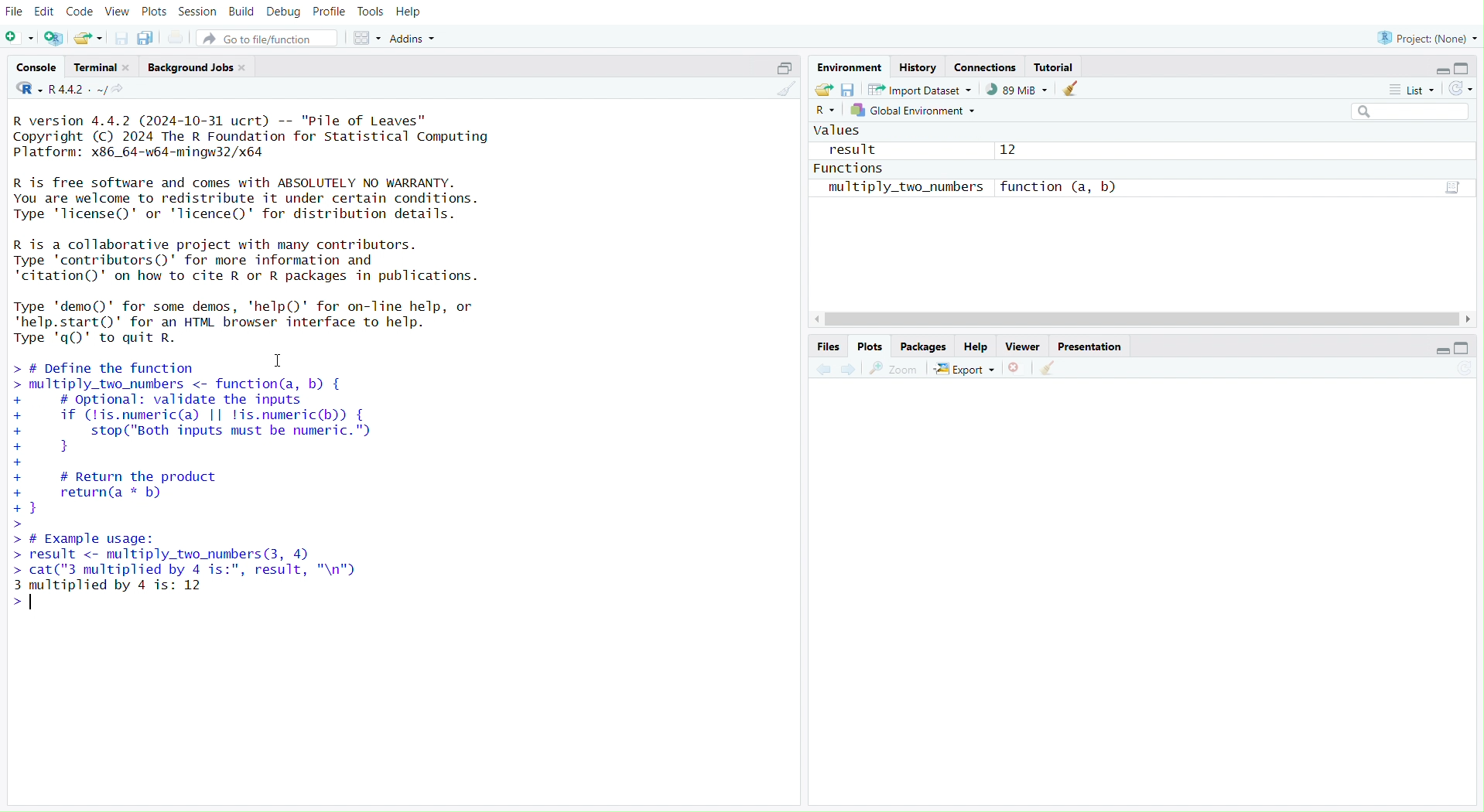  I want to click on Edit, so click(44, 10).